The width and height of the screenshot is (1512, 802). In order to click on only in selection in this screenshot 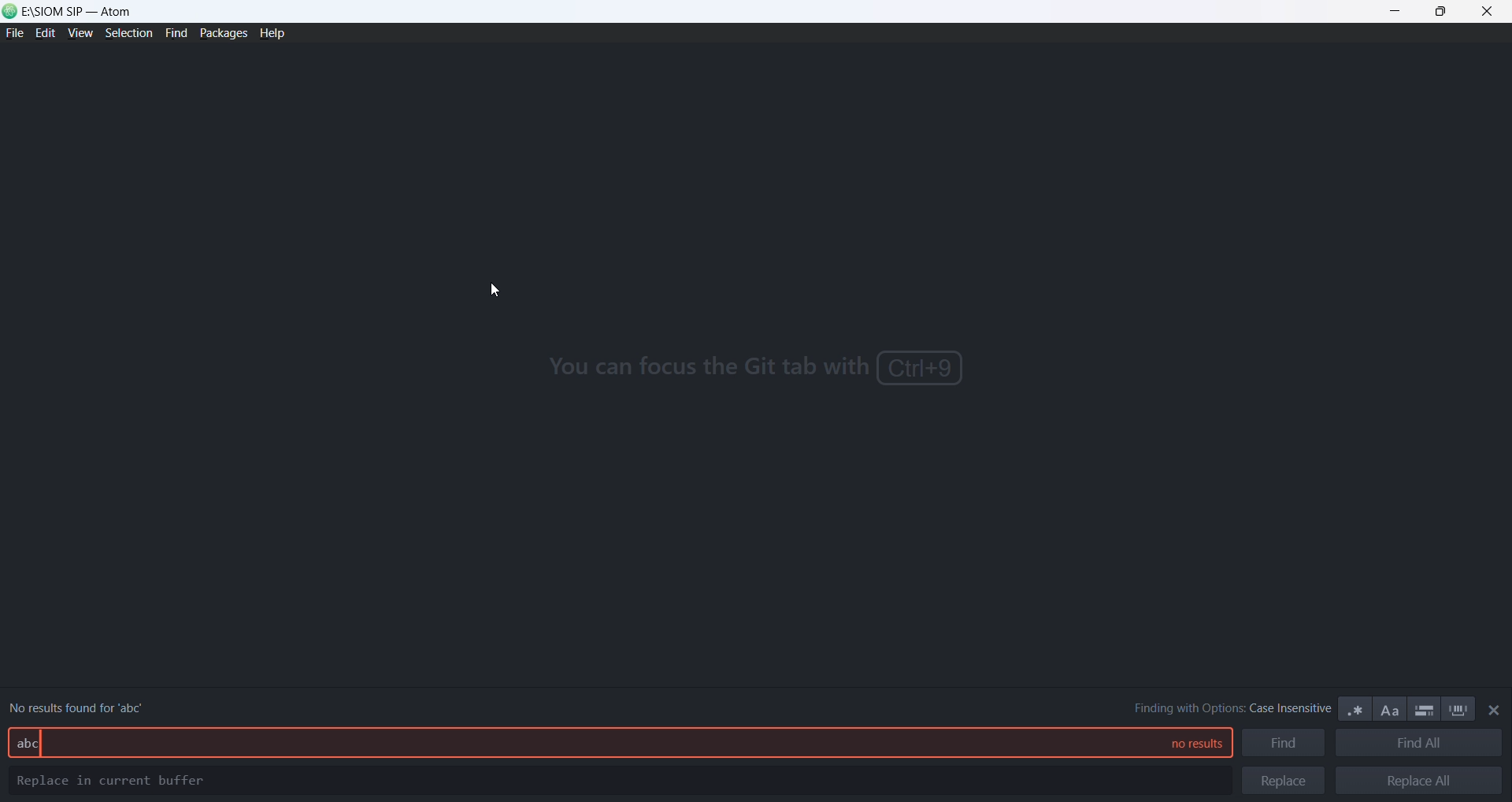, I will do `click(1423, 709)`.